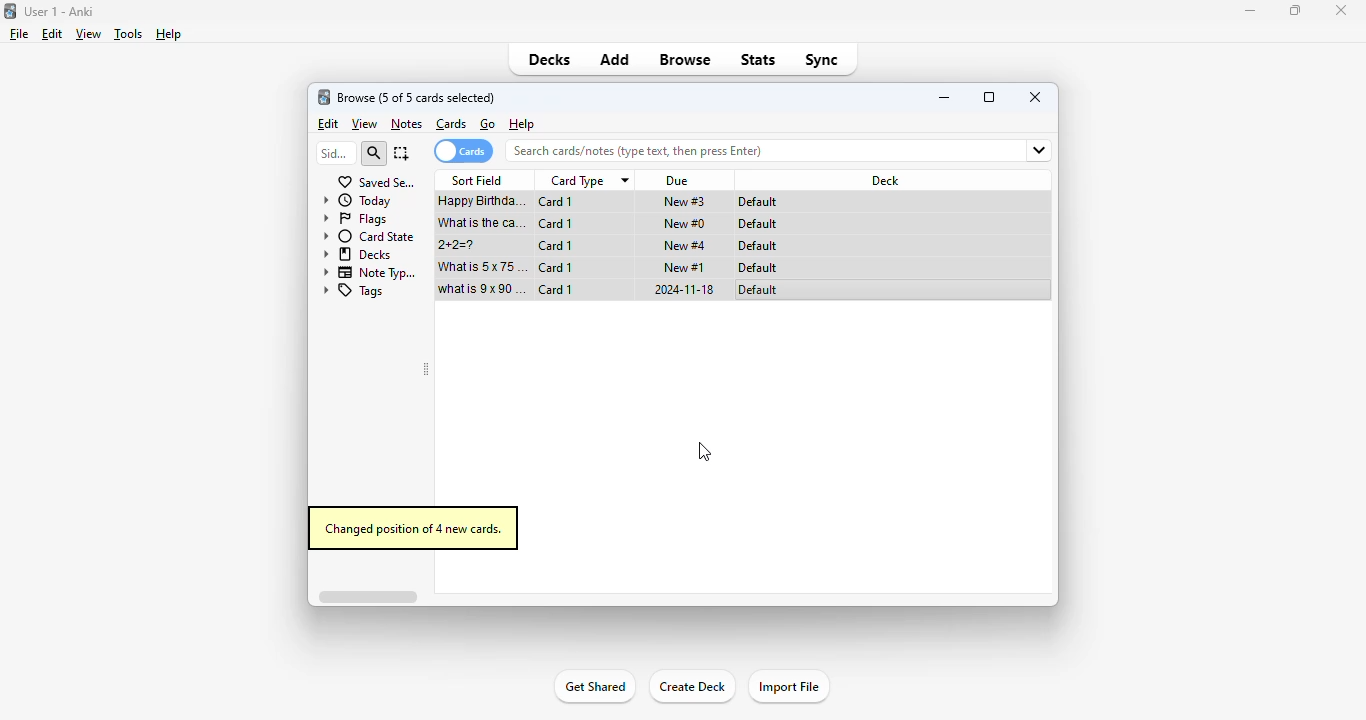 The image size is (1366, 720). Describe the element at coordinates (757, 224) in the screenshot. I see `default` at that location.